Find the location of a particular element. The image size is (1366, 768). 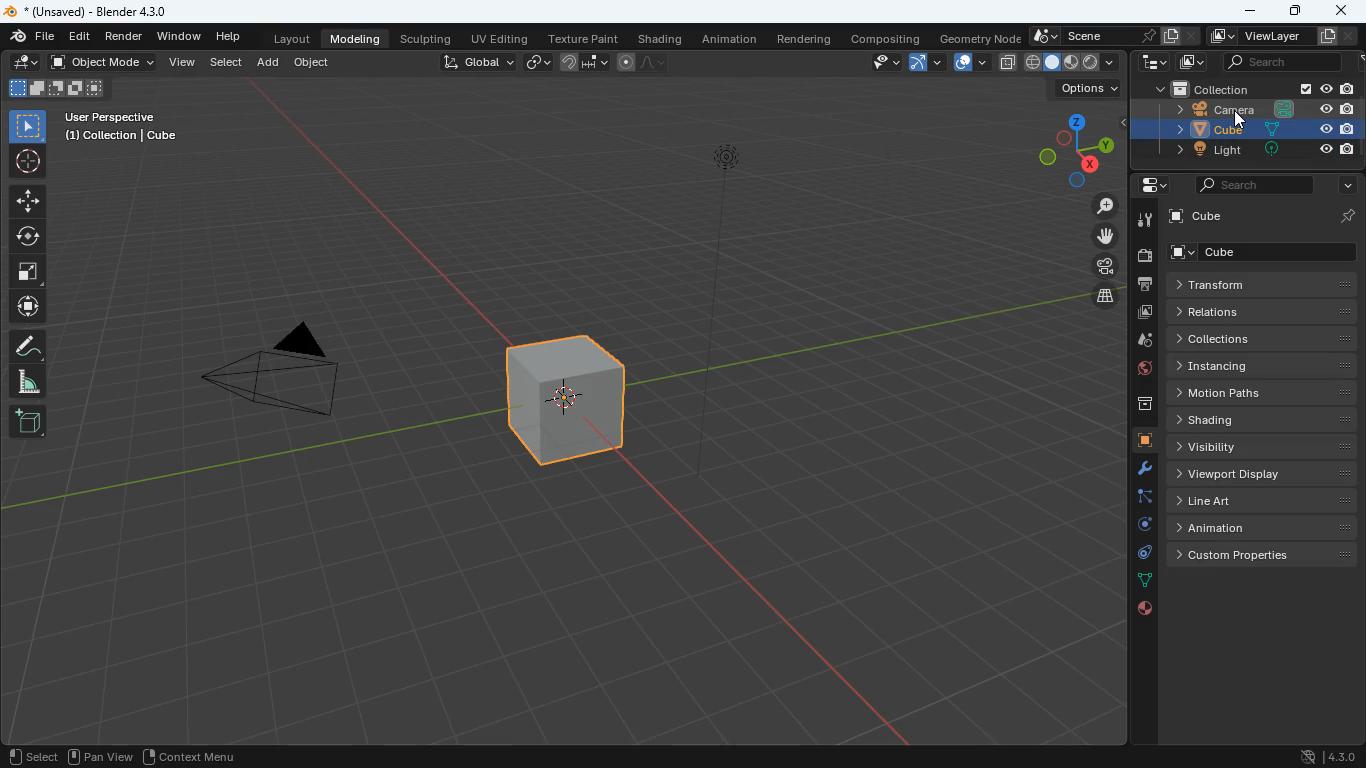

modeling is located at coordinates (355, 38).